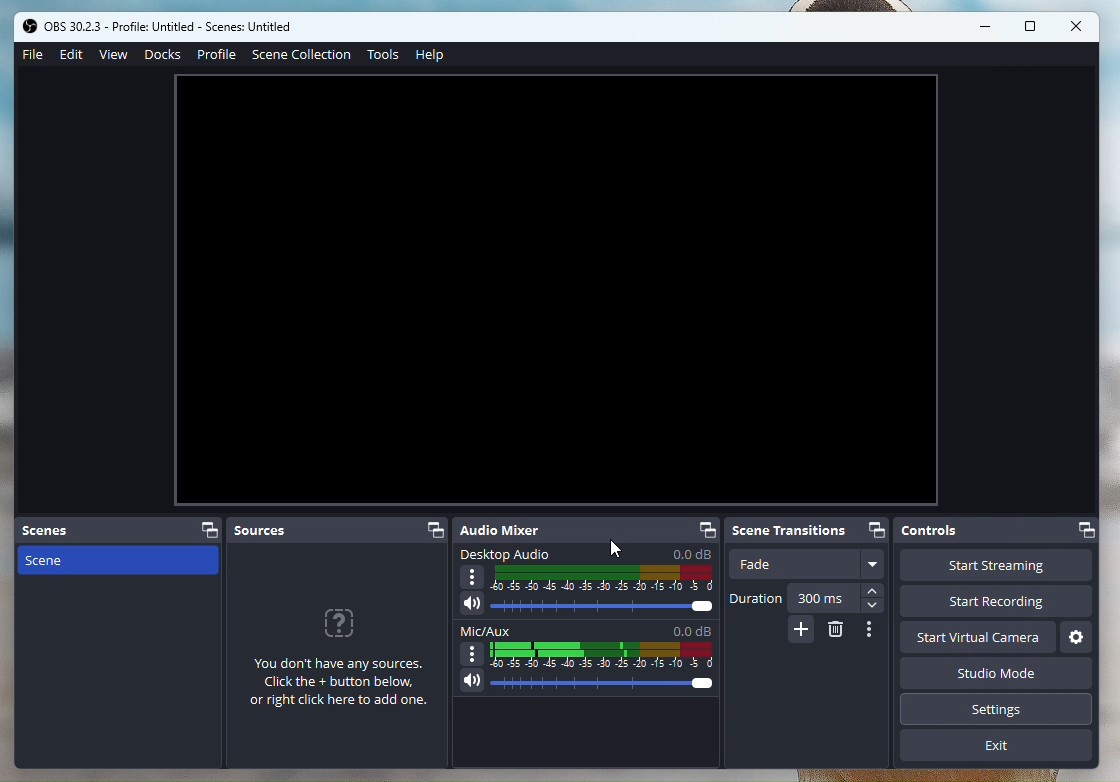 This screenshot has width=1120, height=782. What do you see at coordinates (801, 633) in the screenshot?
I see `More` at bounding box center [801, 633].